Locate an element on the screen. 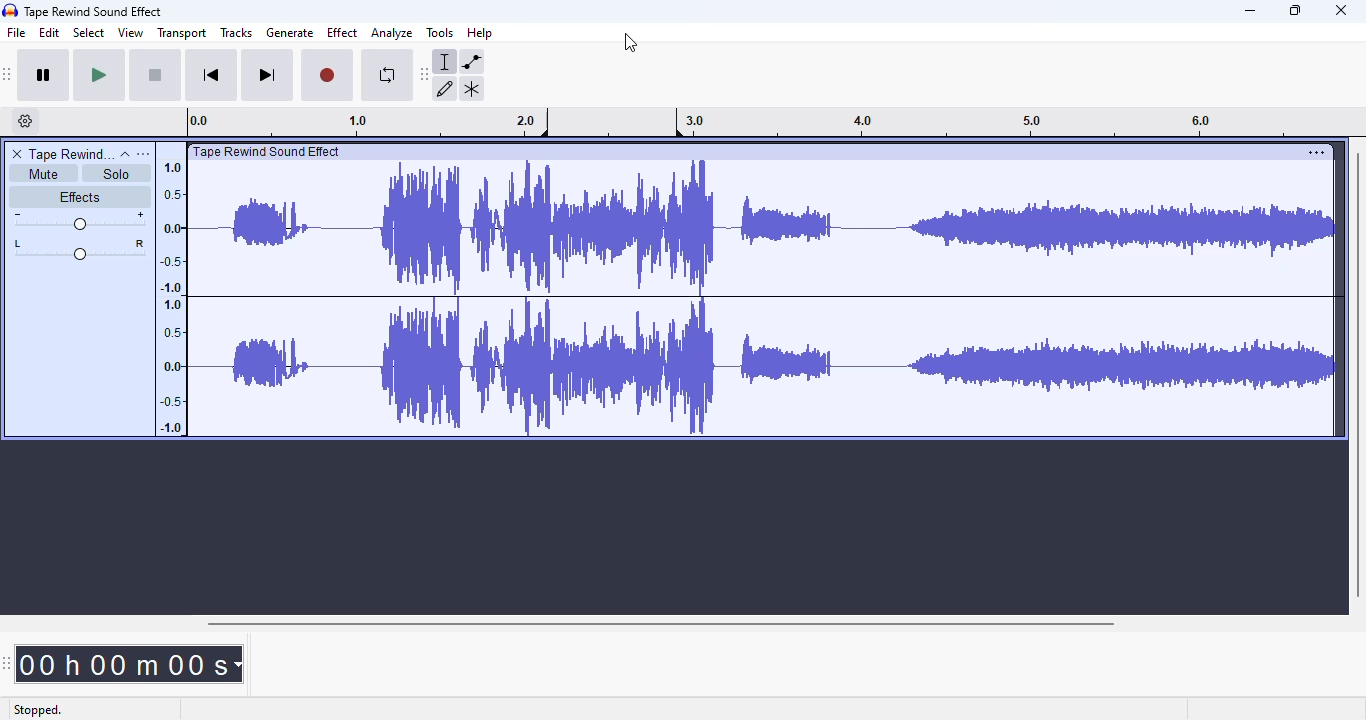  generate is located at coordinates (290, 33).